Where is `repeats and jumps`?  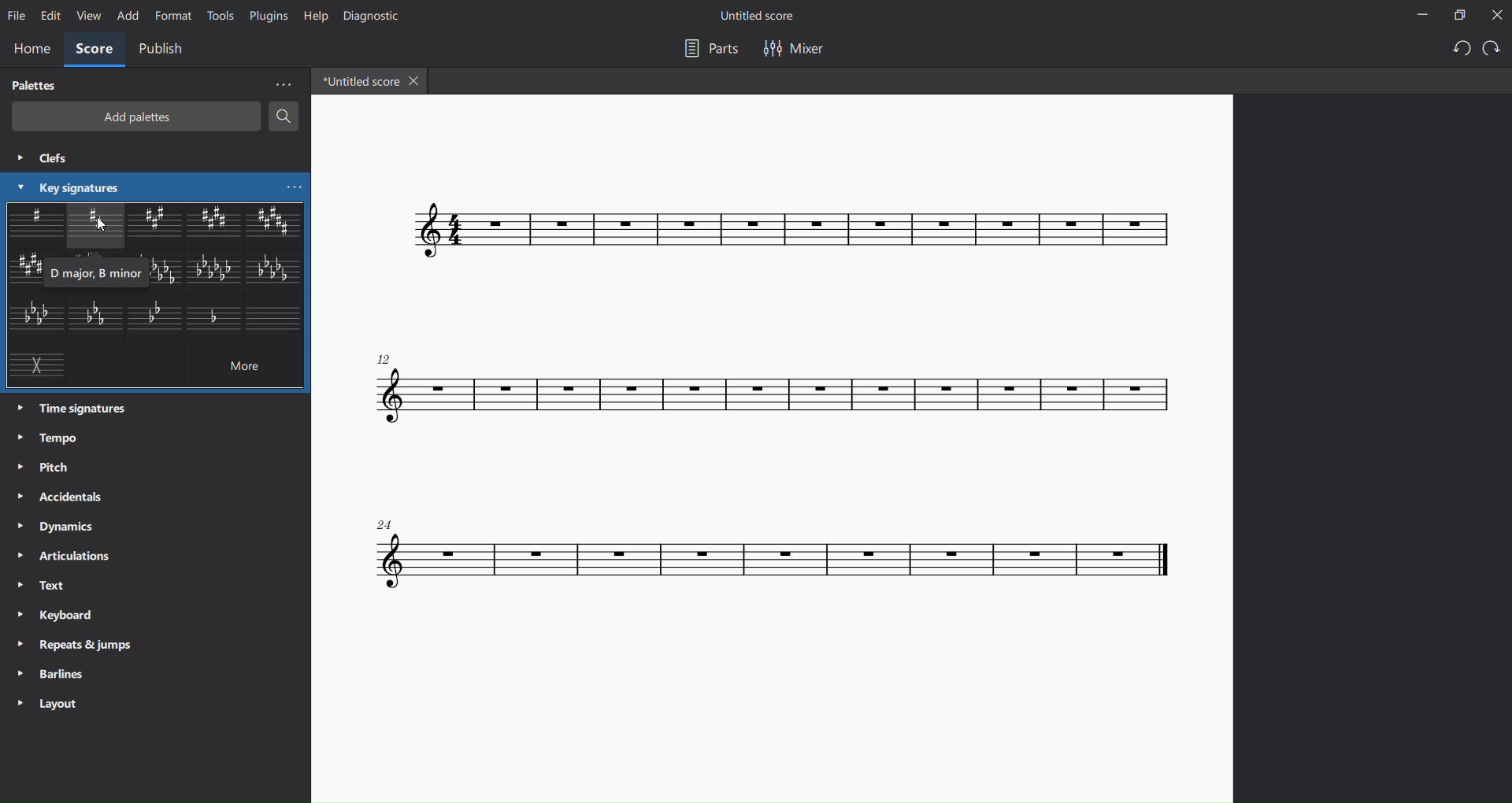
repeats and jumps is located at coordinates (76, 644).